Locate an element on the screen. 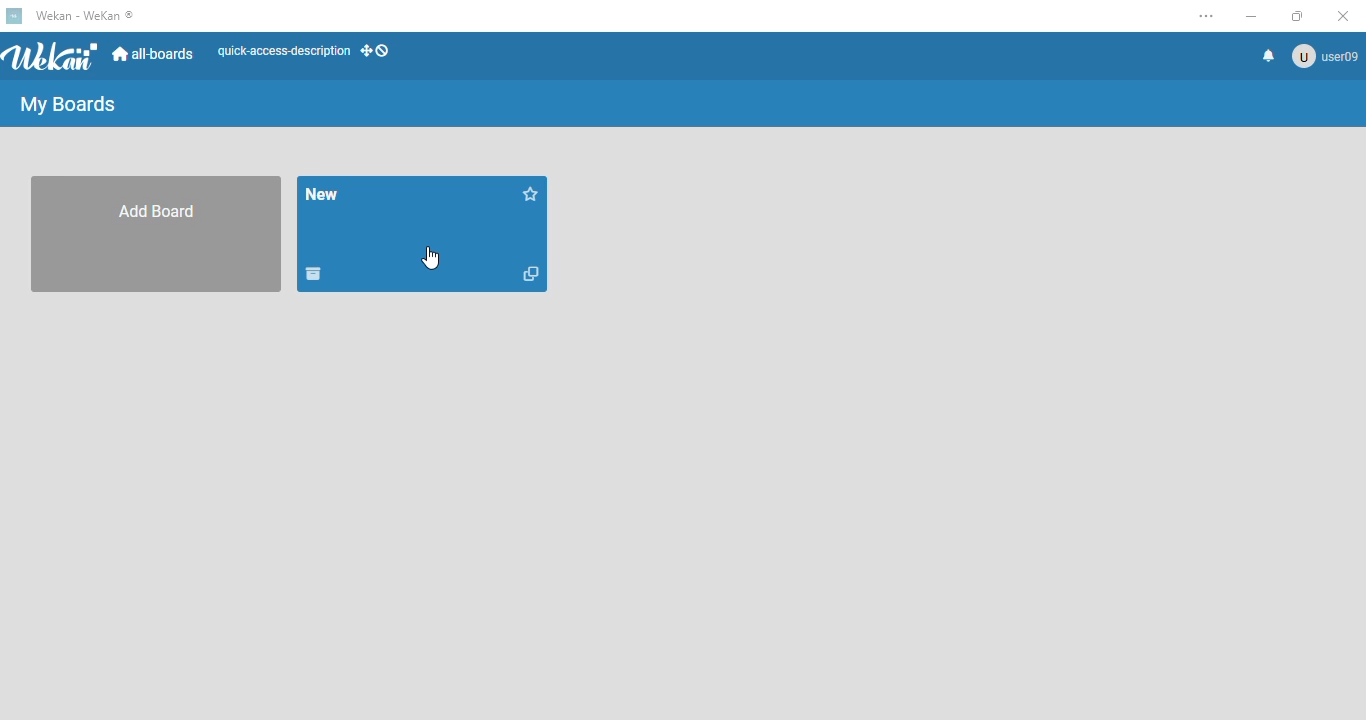 This screenshot has height=720, width=1366. duplicate board is located at coordinates (533, 275).